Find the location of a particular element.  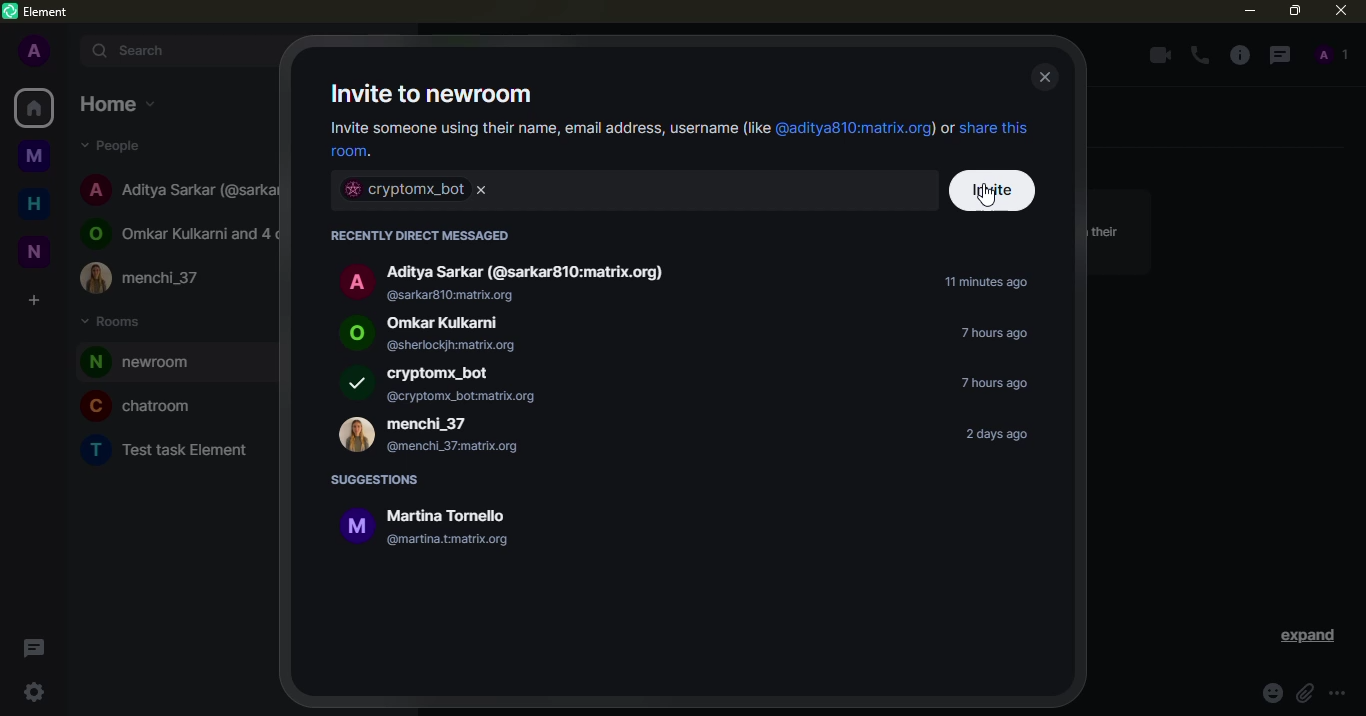

recently direct messaged is located at coordinates (419, 235).